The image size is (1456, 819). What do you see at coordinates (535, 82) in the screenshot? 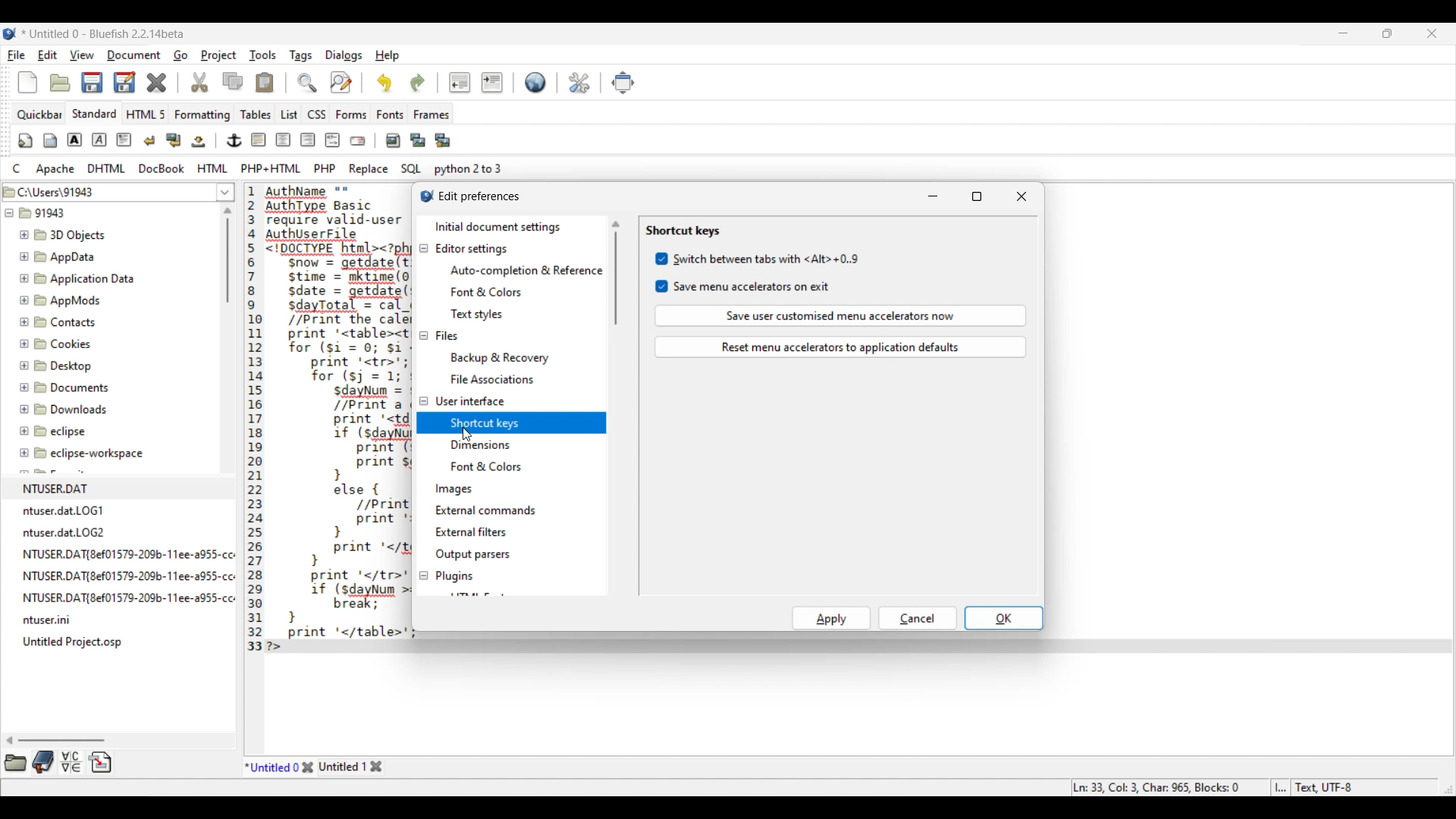
I see `Default setting` at bounding box center [535, 82].